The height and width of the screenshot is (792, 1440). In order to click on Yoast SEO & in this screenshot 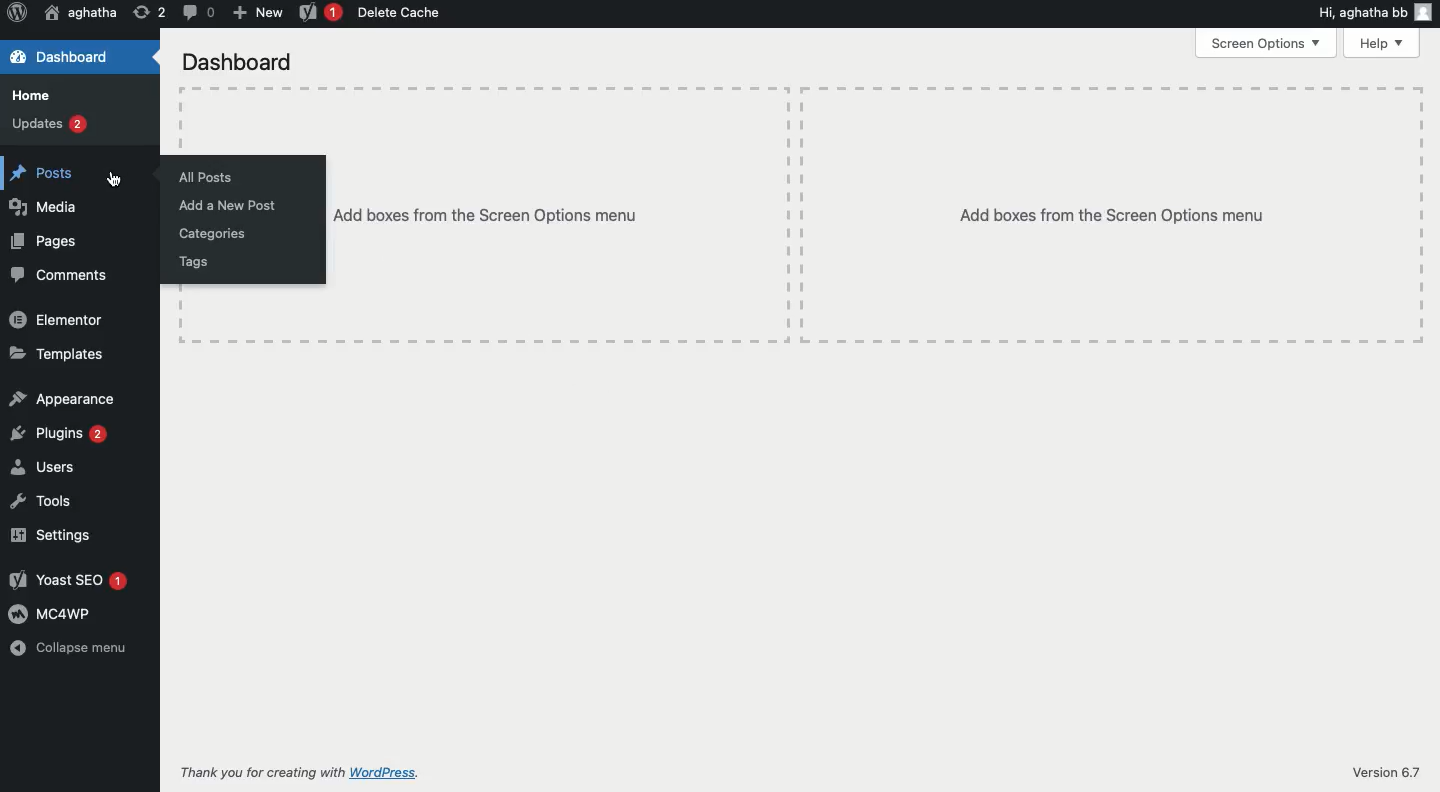, I will do `click(70, 581)`.